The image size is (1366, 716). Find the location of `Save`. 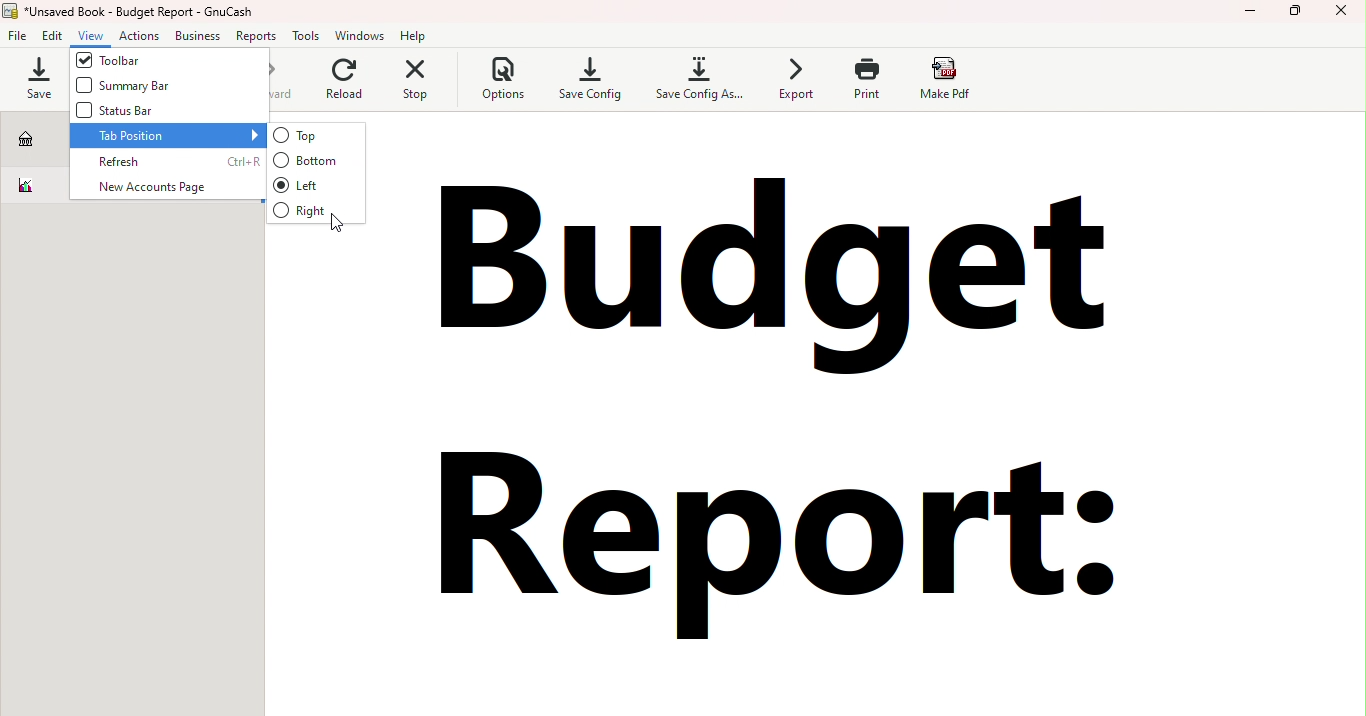

Save is located at coordinates (40, 78).